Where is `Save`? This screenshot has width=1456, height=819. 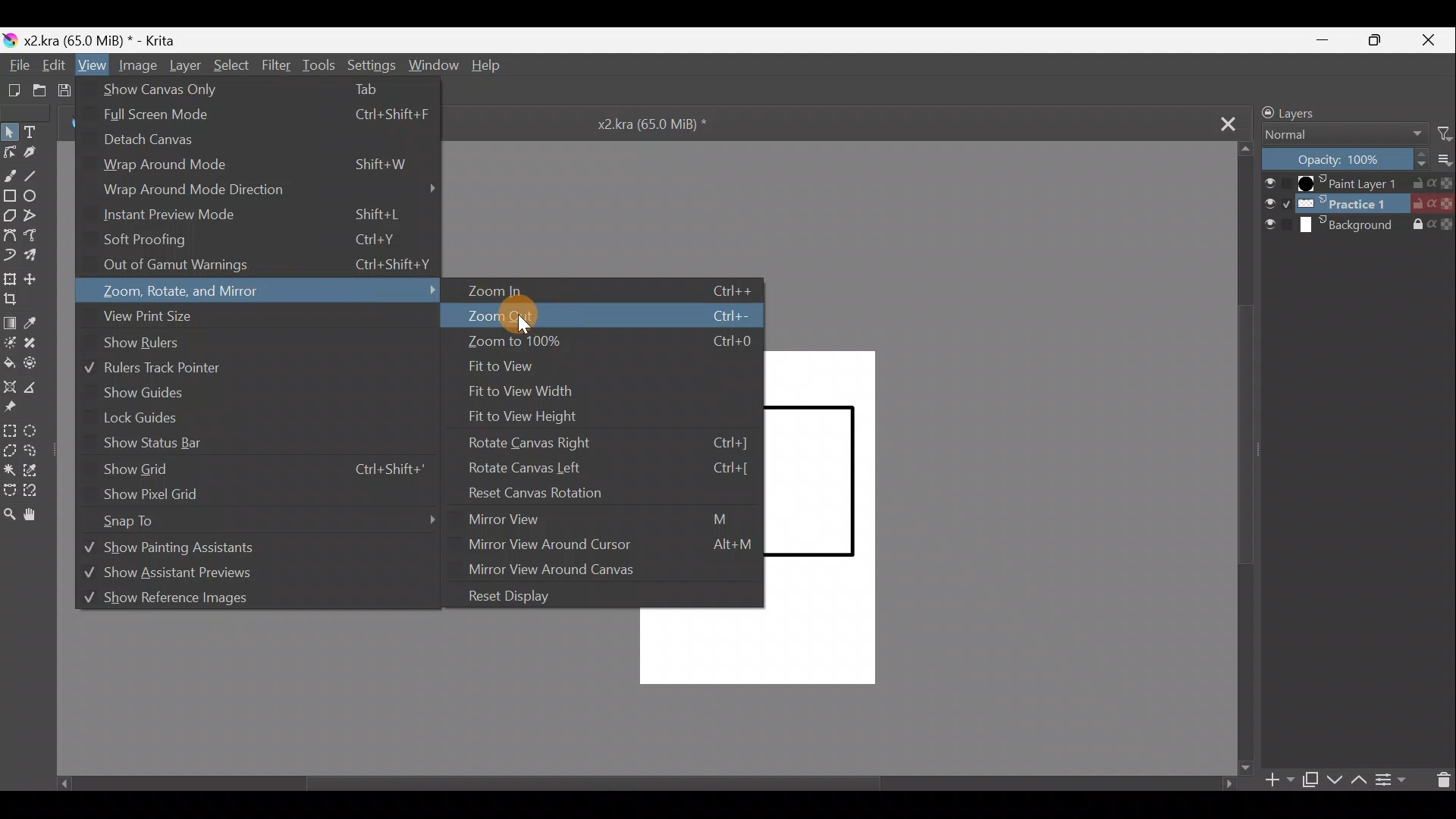 Save is located at coordinates (70, 90).